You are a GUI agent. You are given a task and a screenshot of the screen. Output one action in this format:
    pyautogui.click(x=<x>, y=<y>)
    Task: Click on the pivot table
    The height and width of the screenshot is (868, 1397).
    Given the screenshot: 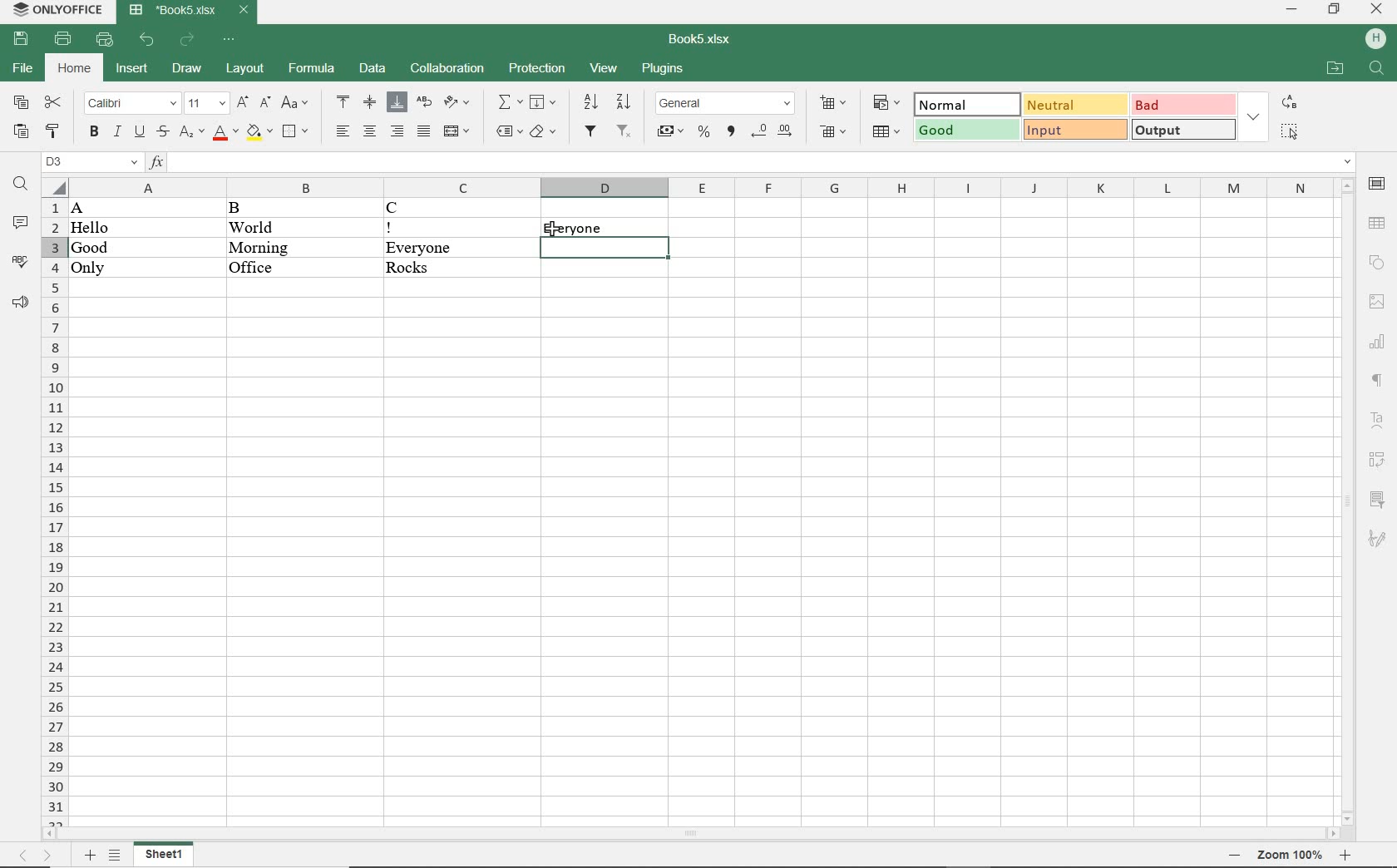 What is the action you would take?
    pyautogui.click(x=1378, y=461)
    